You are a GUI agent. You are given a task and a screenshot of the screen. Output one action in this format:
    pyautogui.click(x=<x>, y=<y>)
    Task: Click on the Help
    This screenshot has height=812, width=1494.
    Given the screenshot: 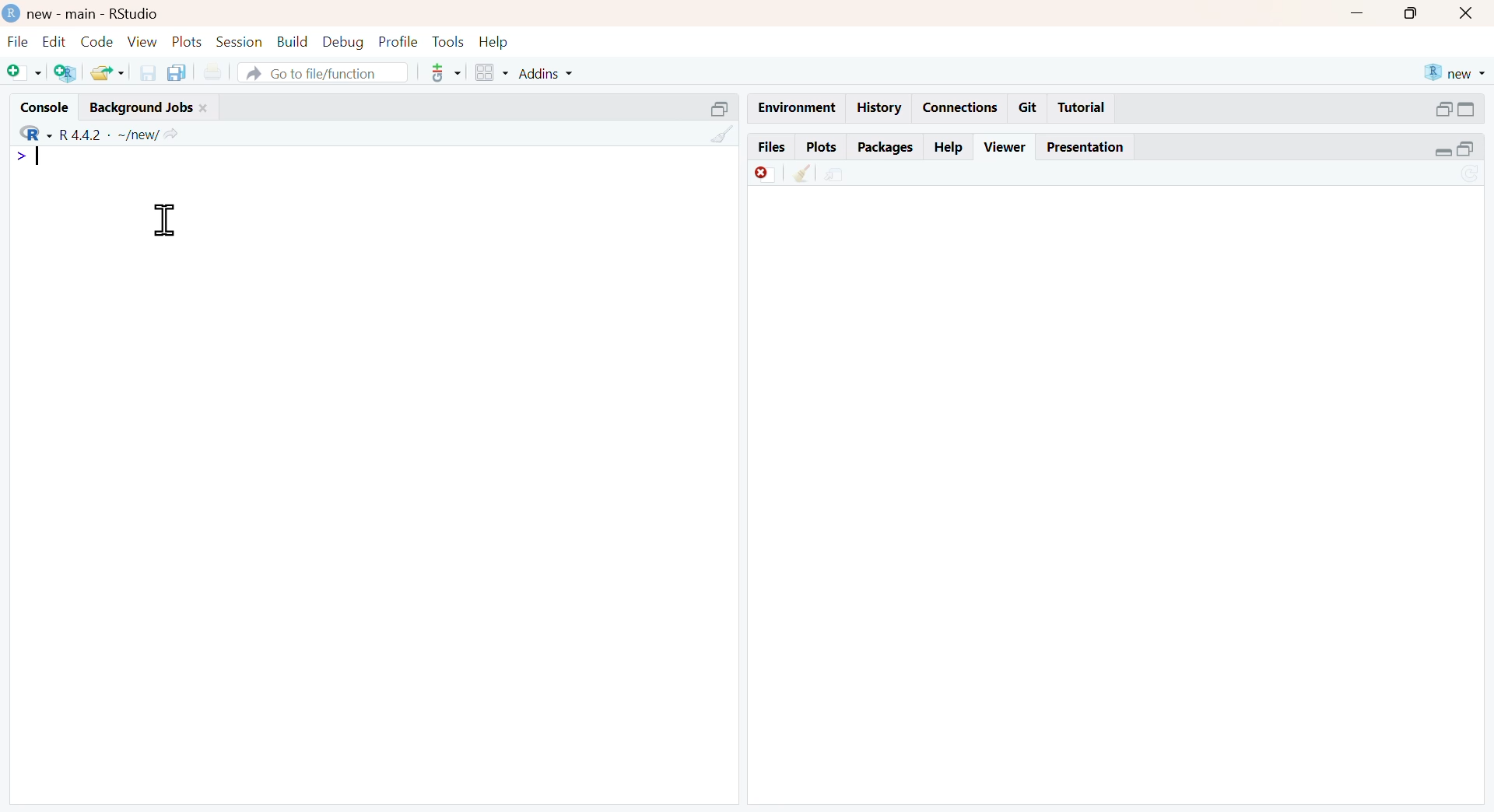 What is the action you would take?
    pyautogui.click(x=952, y=145)
    